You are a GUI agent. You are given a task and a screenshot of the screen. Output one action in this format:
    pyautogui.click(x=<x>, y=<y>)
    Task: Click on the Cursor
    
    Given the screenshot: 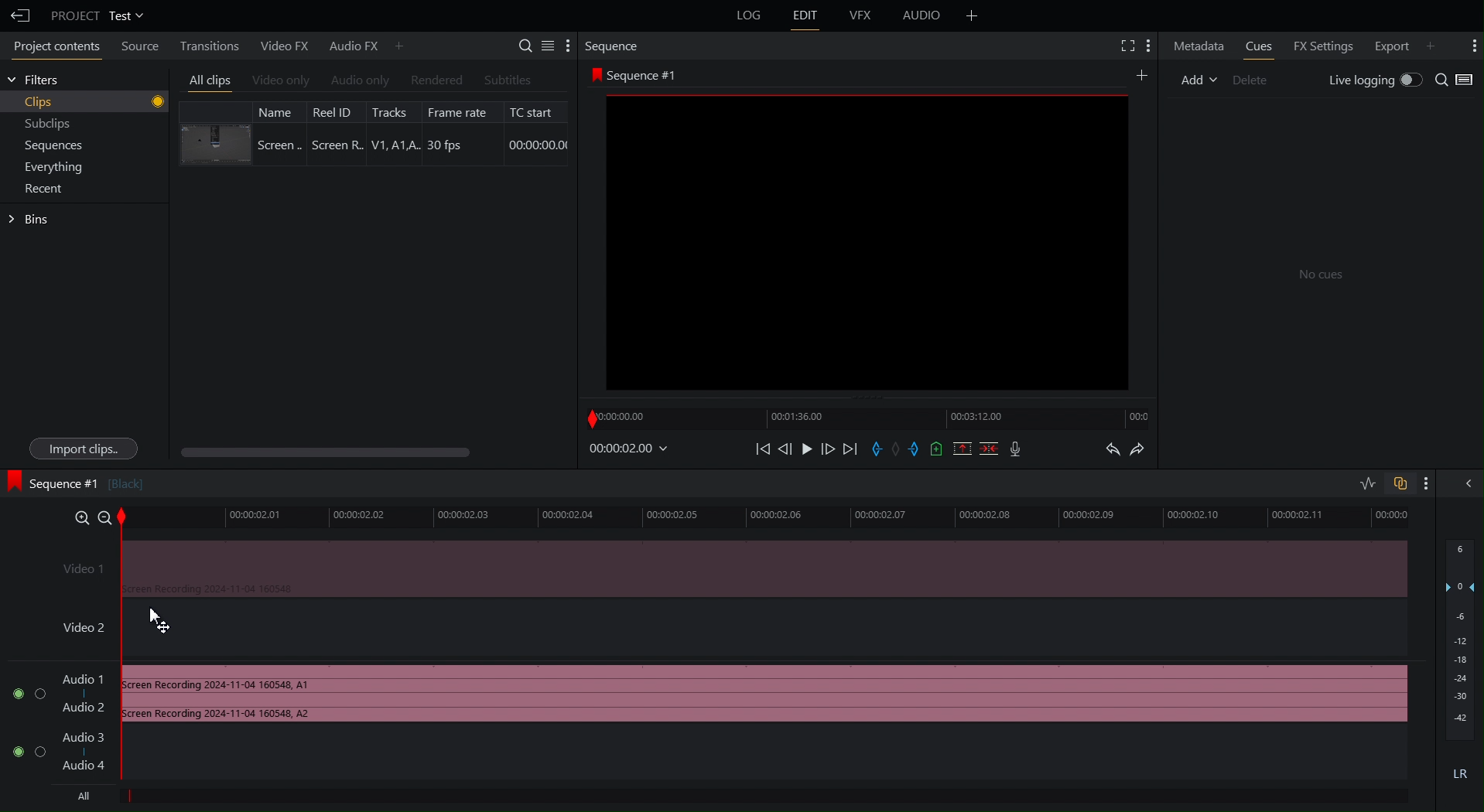 What is the action you would take?
    pyautogui.click(x=161, y=620)
    